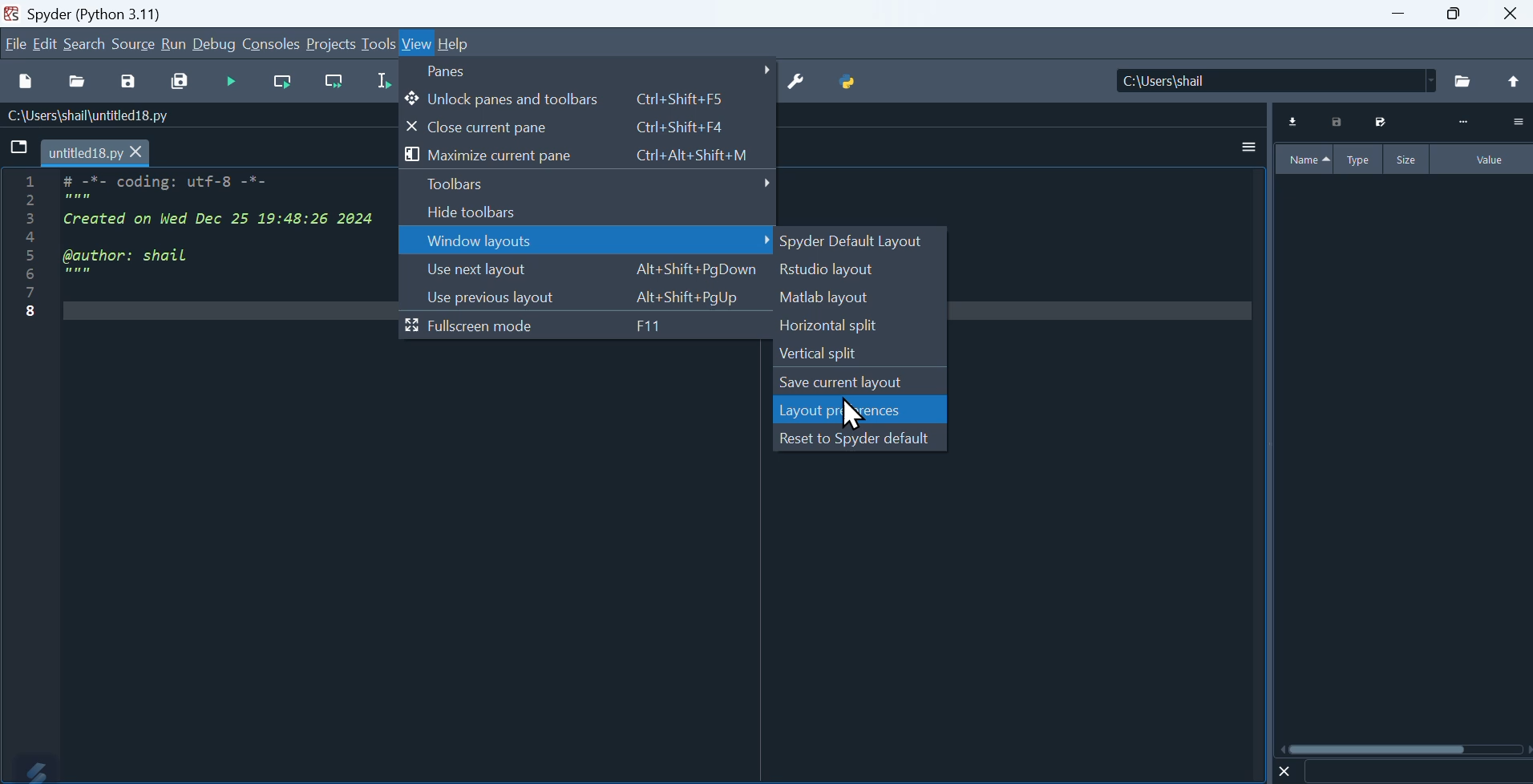  I want to click on Debug, so click(215, 43).